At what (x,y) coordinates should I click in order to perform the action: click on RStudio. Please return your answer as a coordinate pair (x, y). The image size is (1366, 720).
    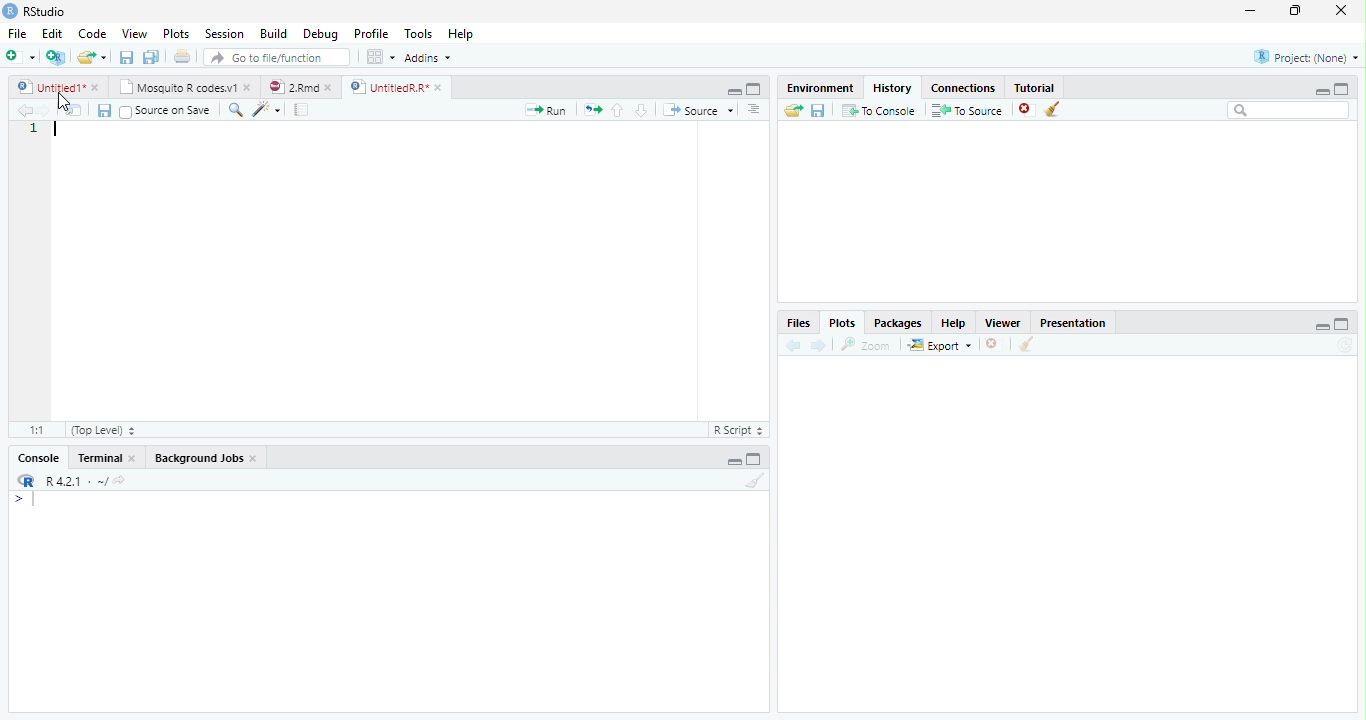
    Looking at the image, I should click on (35, 12).